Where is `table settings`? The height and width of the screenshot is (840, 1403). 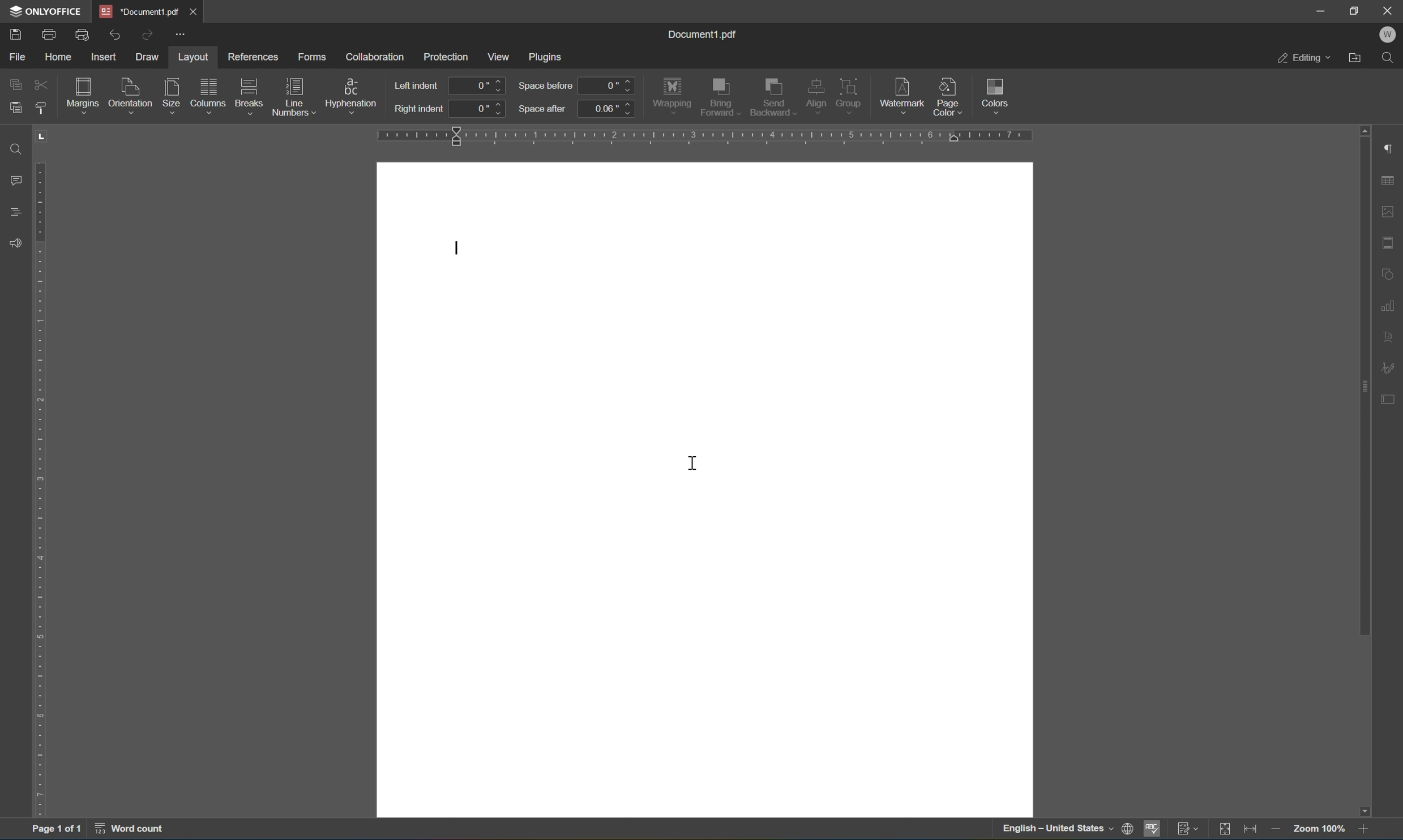
table settings is located at coordinates (1389, 181).